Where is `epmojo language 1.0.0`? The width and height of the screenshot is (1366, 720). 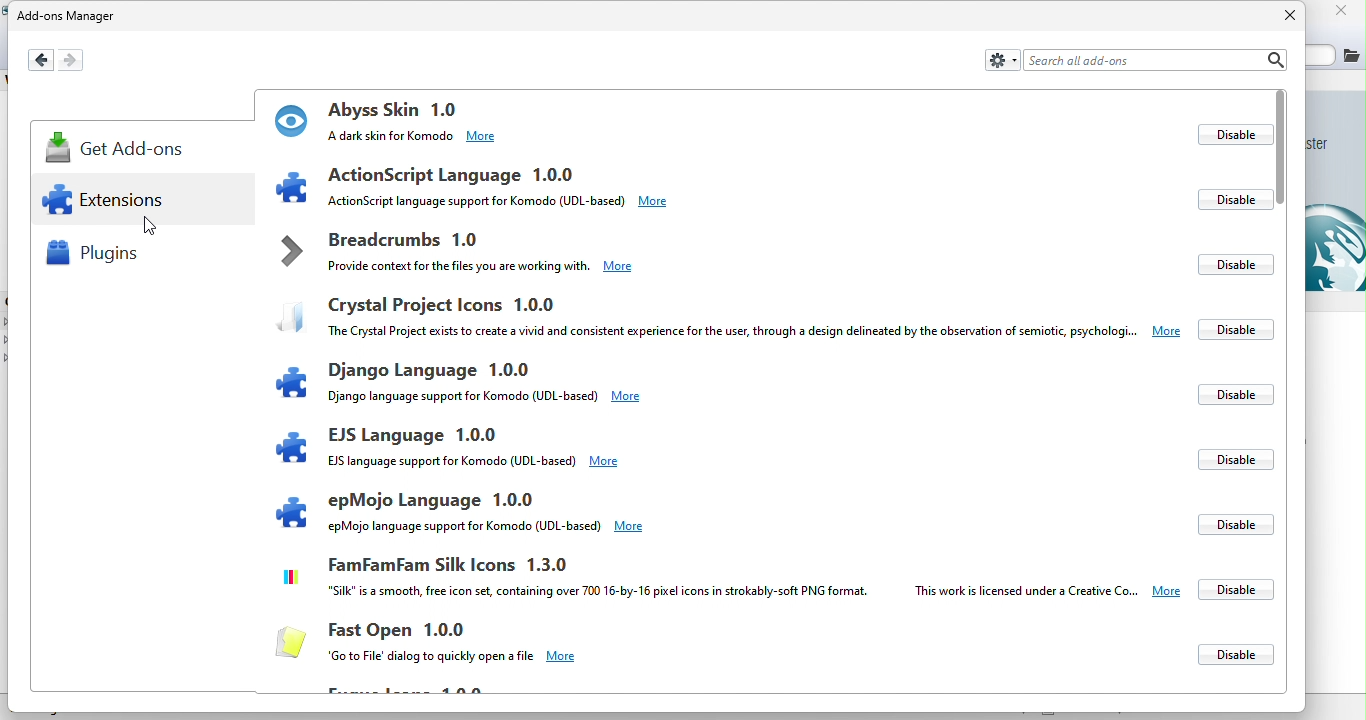 epmojo language 1.0.0 is located at coordinates (461, 509).